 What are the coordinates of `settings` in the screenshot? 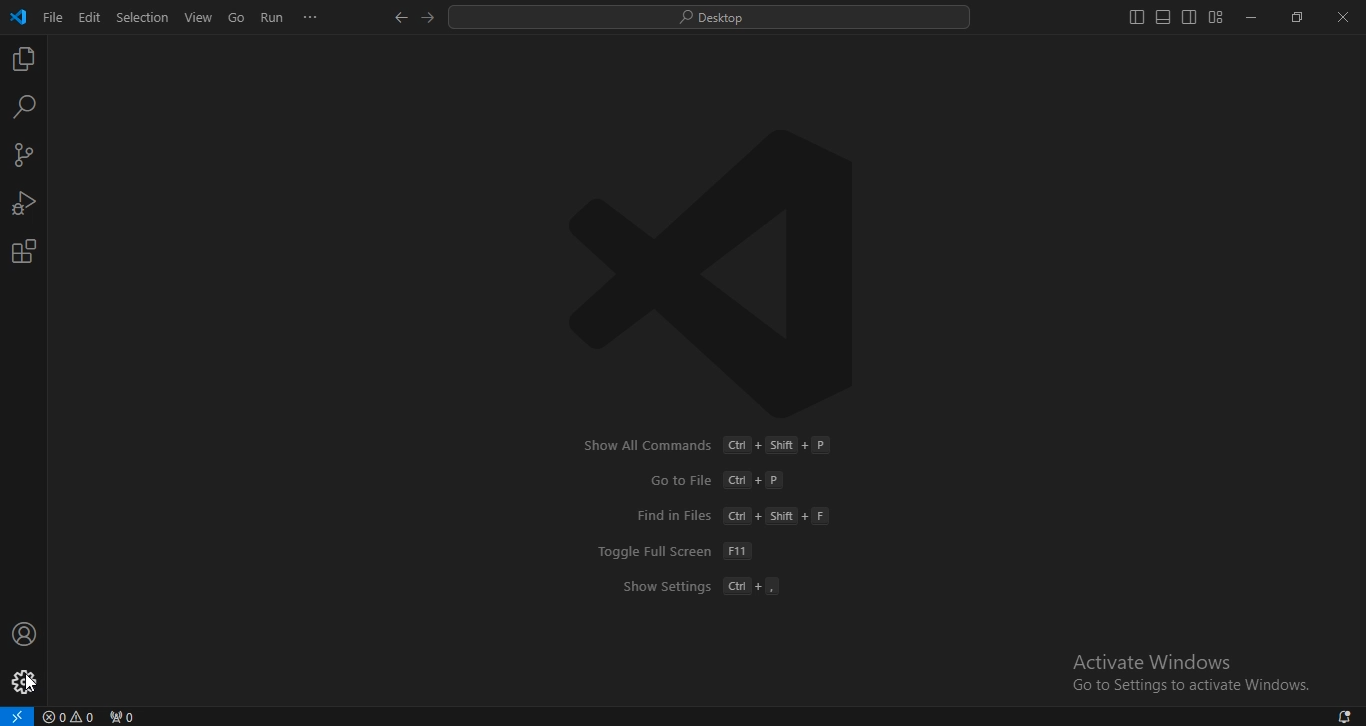 It's located at (23, 682).